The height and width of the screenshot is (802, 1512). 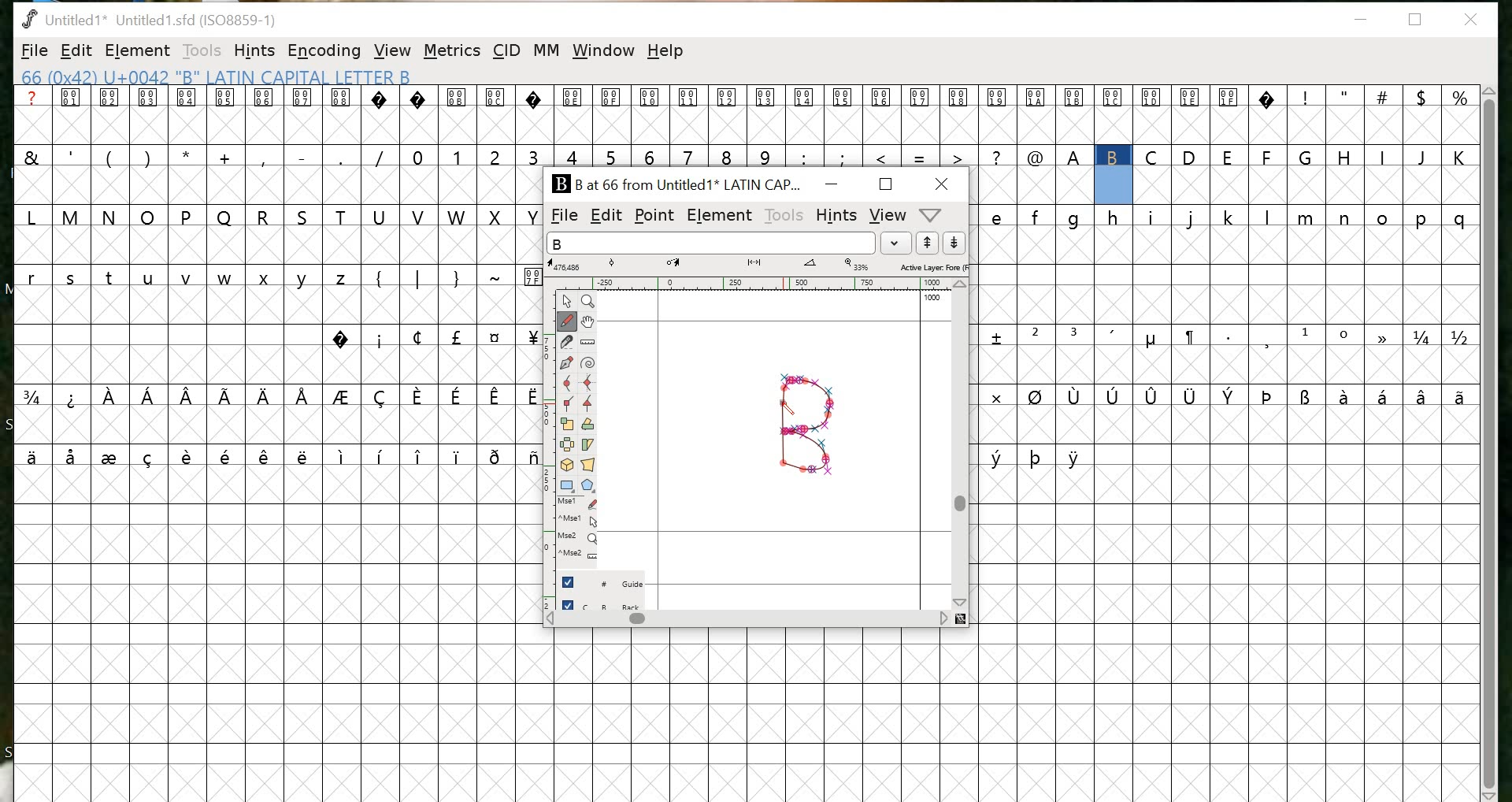 What do you see at coordinates (588, 466) in the screenshot?
I see `Perspective` at bounding box center [588, 466].